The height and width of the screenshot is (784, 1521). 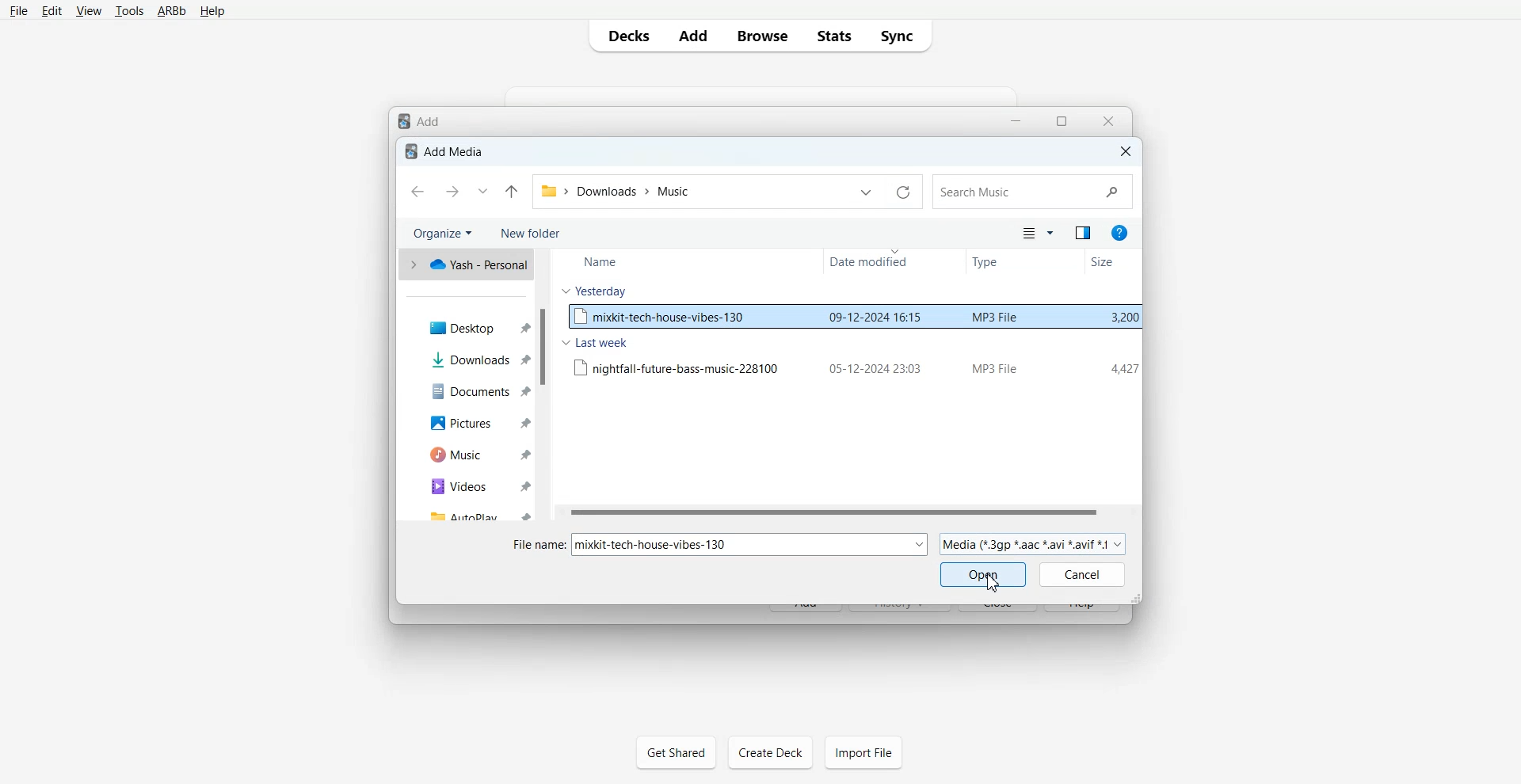 What do you see at coordinates (127, 10) in the screenshot?
I see `Tools` at bounding box center [127, 10].